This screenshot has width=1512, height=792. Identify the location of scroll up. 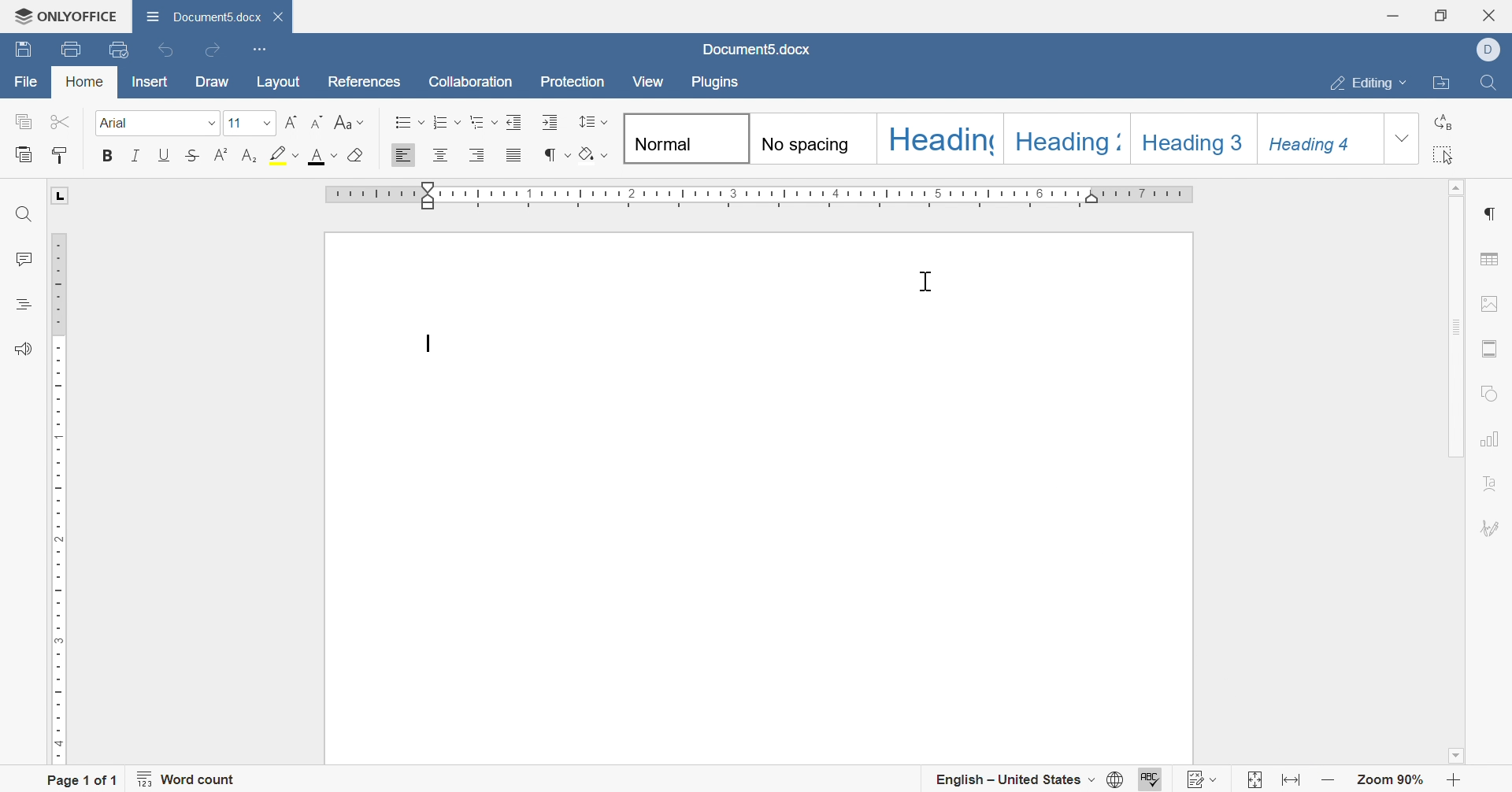
(1458, 188).